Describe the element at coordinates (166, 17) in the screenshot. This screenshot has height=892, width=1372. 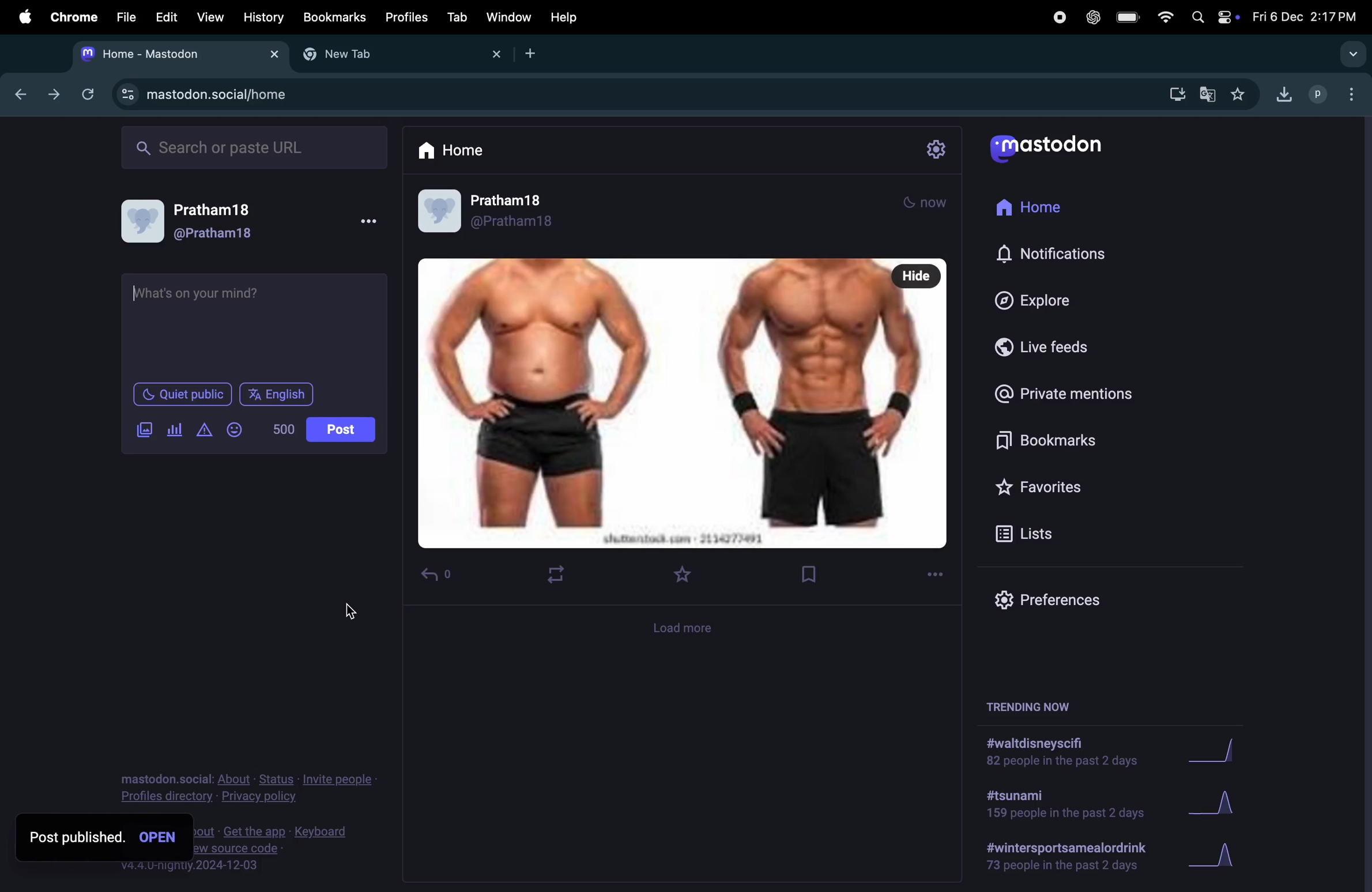
I see `edit` at that location.